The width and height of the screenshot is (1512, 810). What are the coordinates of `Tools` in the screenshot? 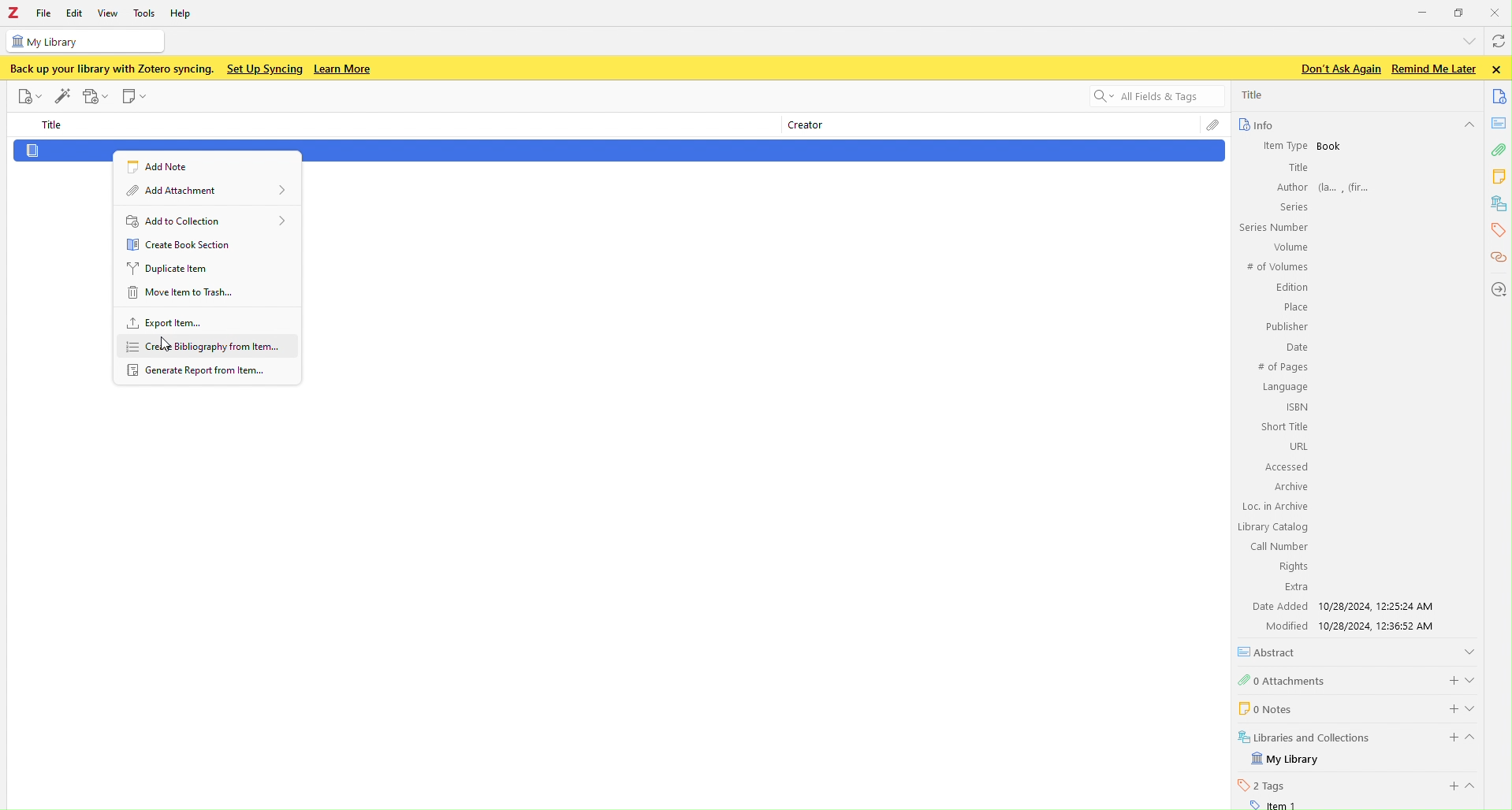 It's located at (145, 13).